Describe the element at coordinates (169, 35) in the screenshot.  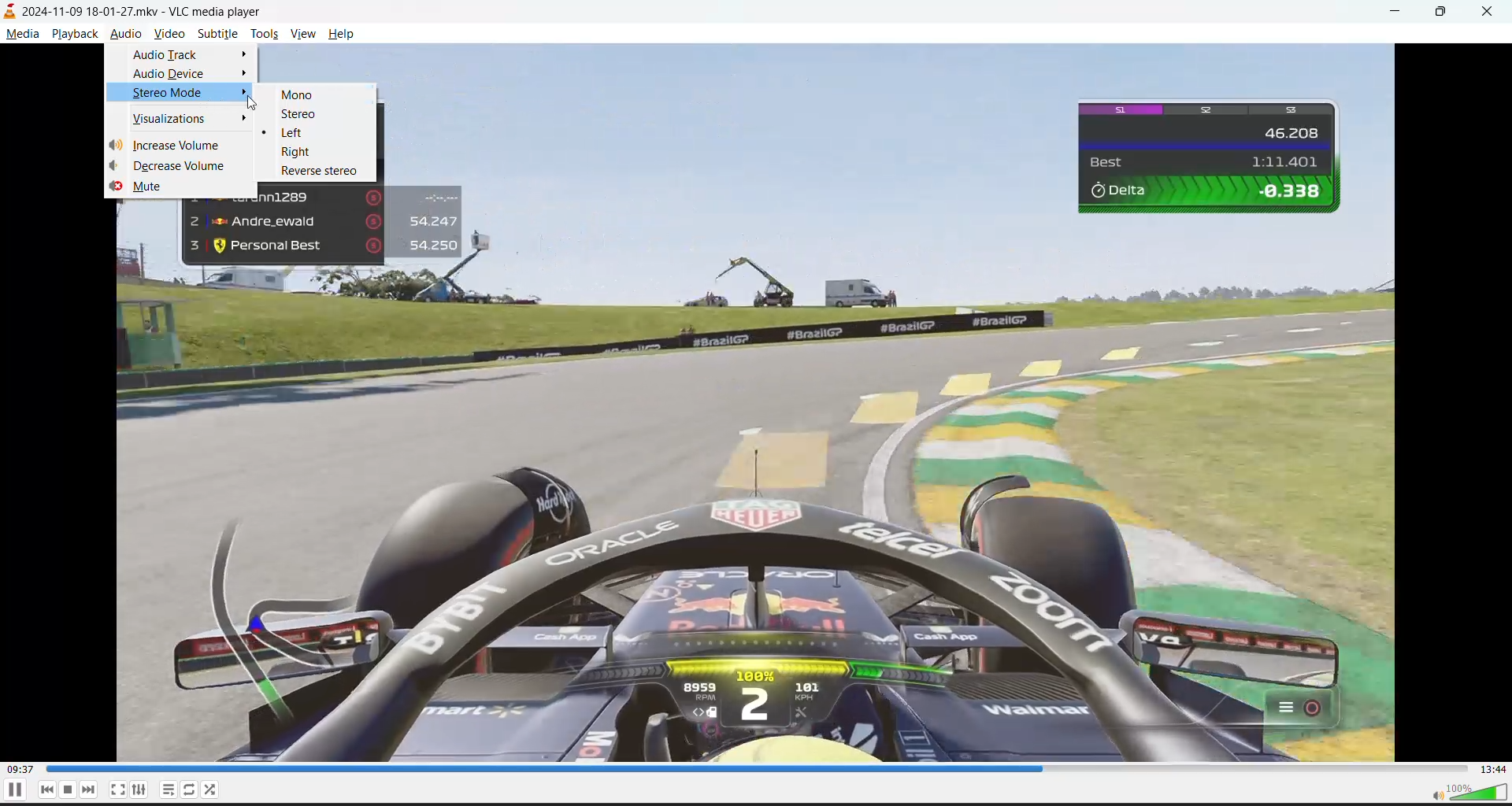
I see `video` at that location.